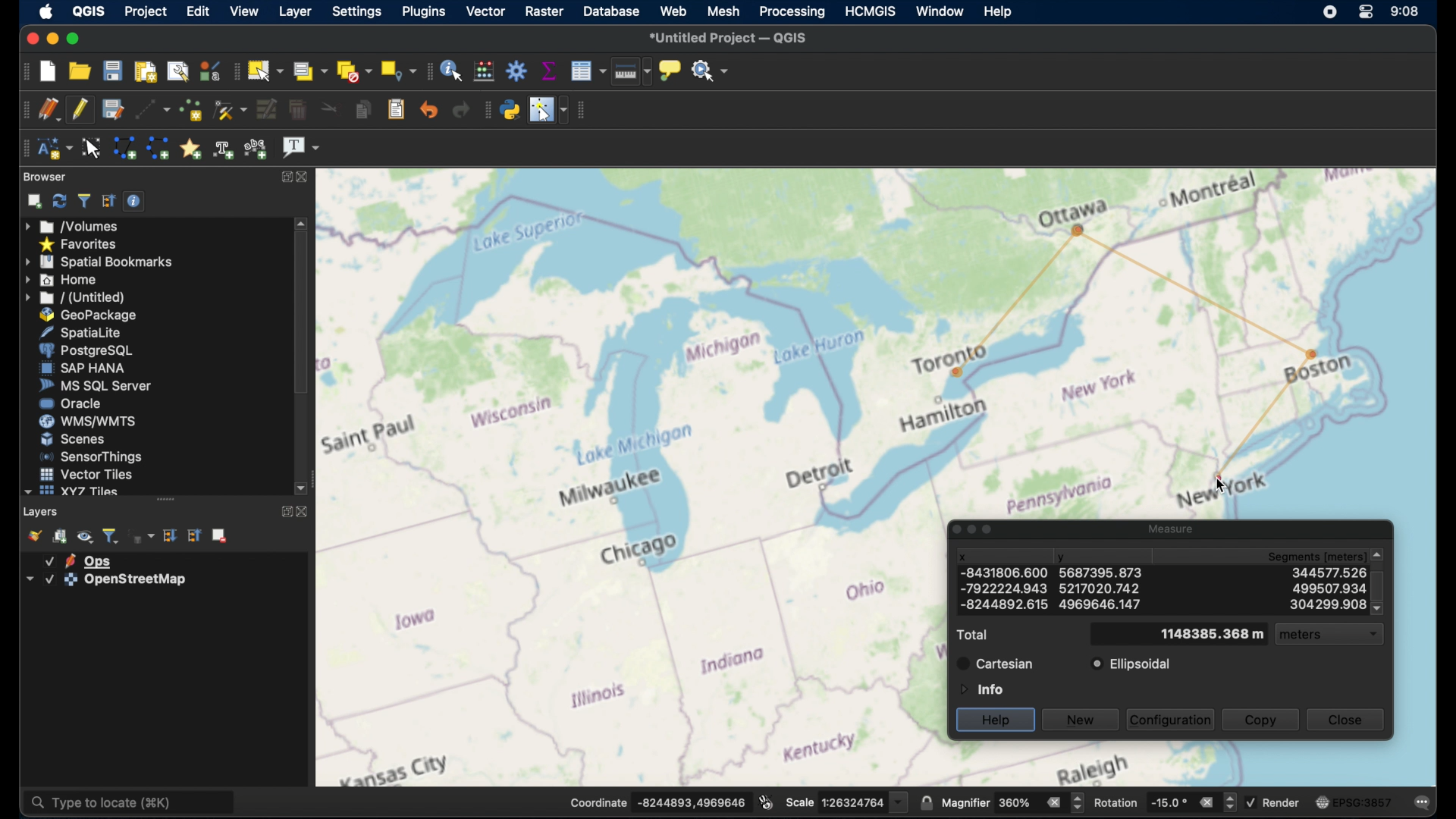 The image size is (1456, 819). Describe the element at coordinates (1329, 12) in the screenshot. I see `screen recorder icon` at that location.